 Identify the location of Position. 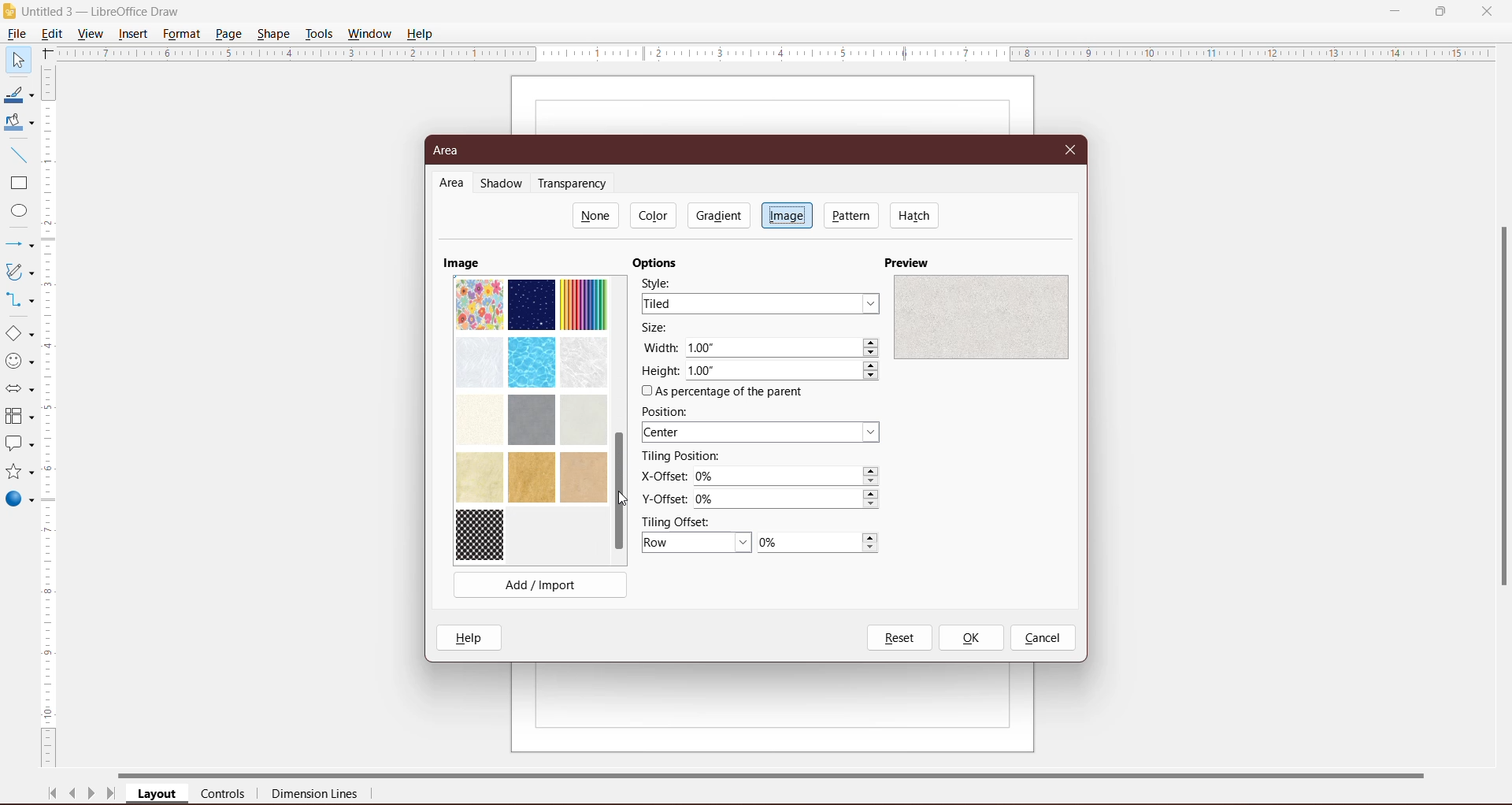
(669, 411).